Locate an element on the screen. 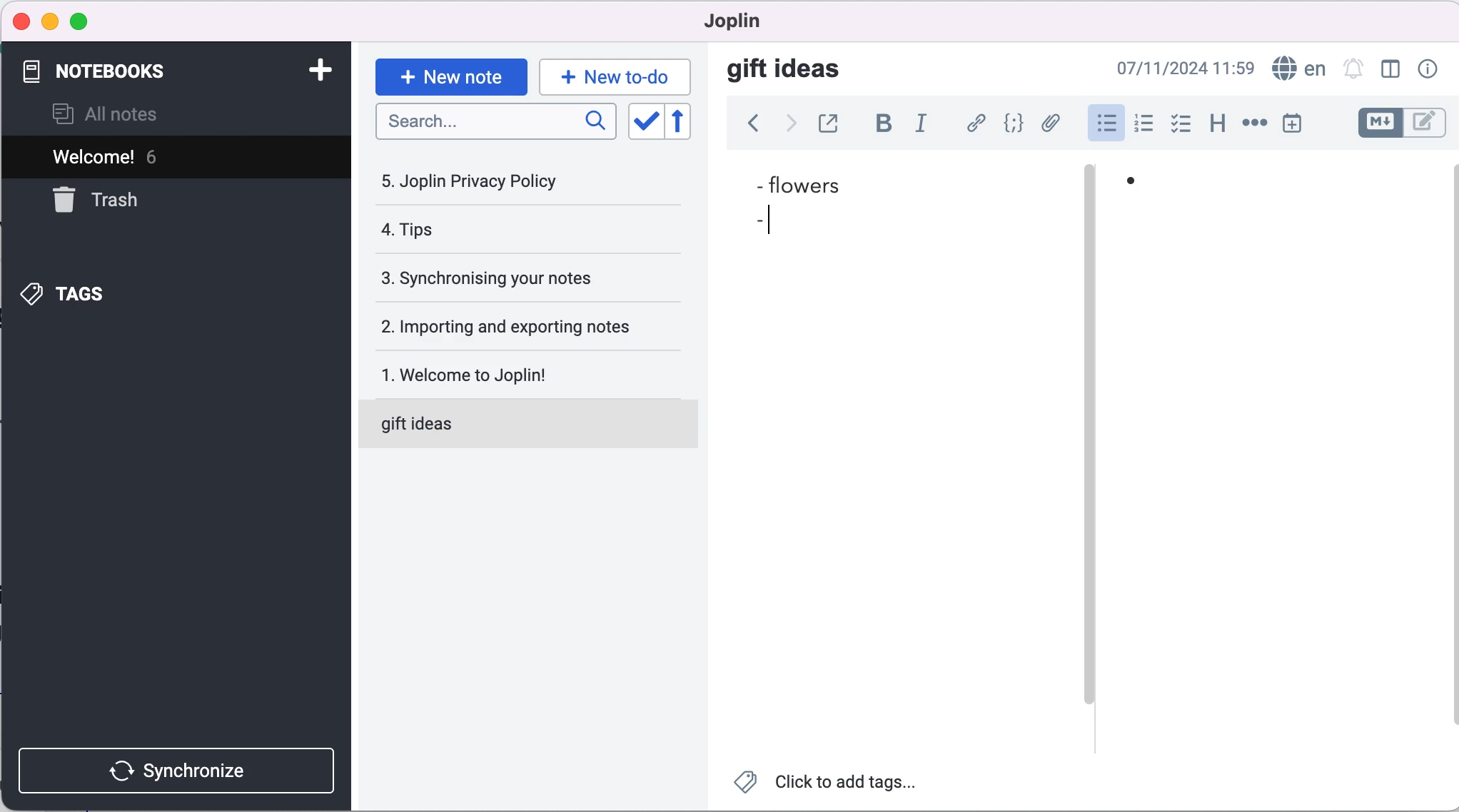 The height and width of the screenshot is (812, 1459). hyperlink is located at coordinates (975, 123).